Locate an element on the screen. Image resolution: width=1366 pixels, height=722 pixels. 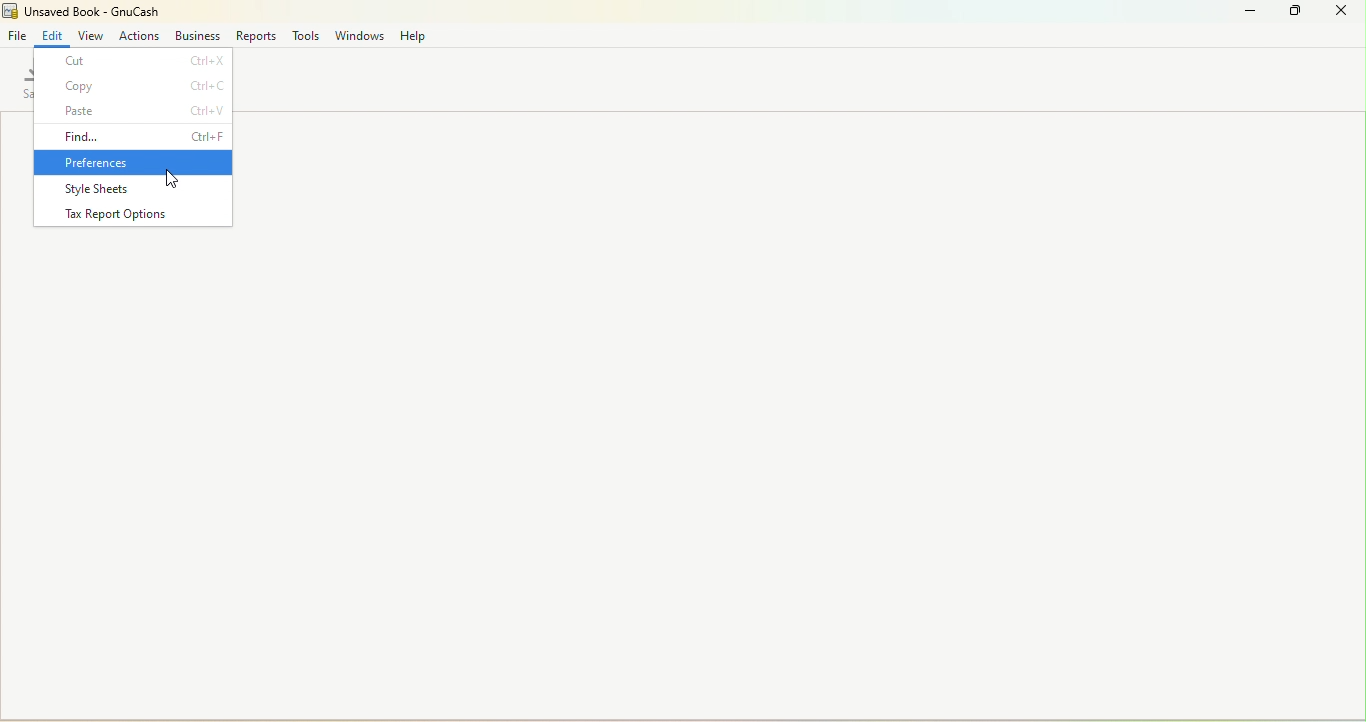
Windows is located at coordinates (357, 33).